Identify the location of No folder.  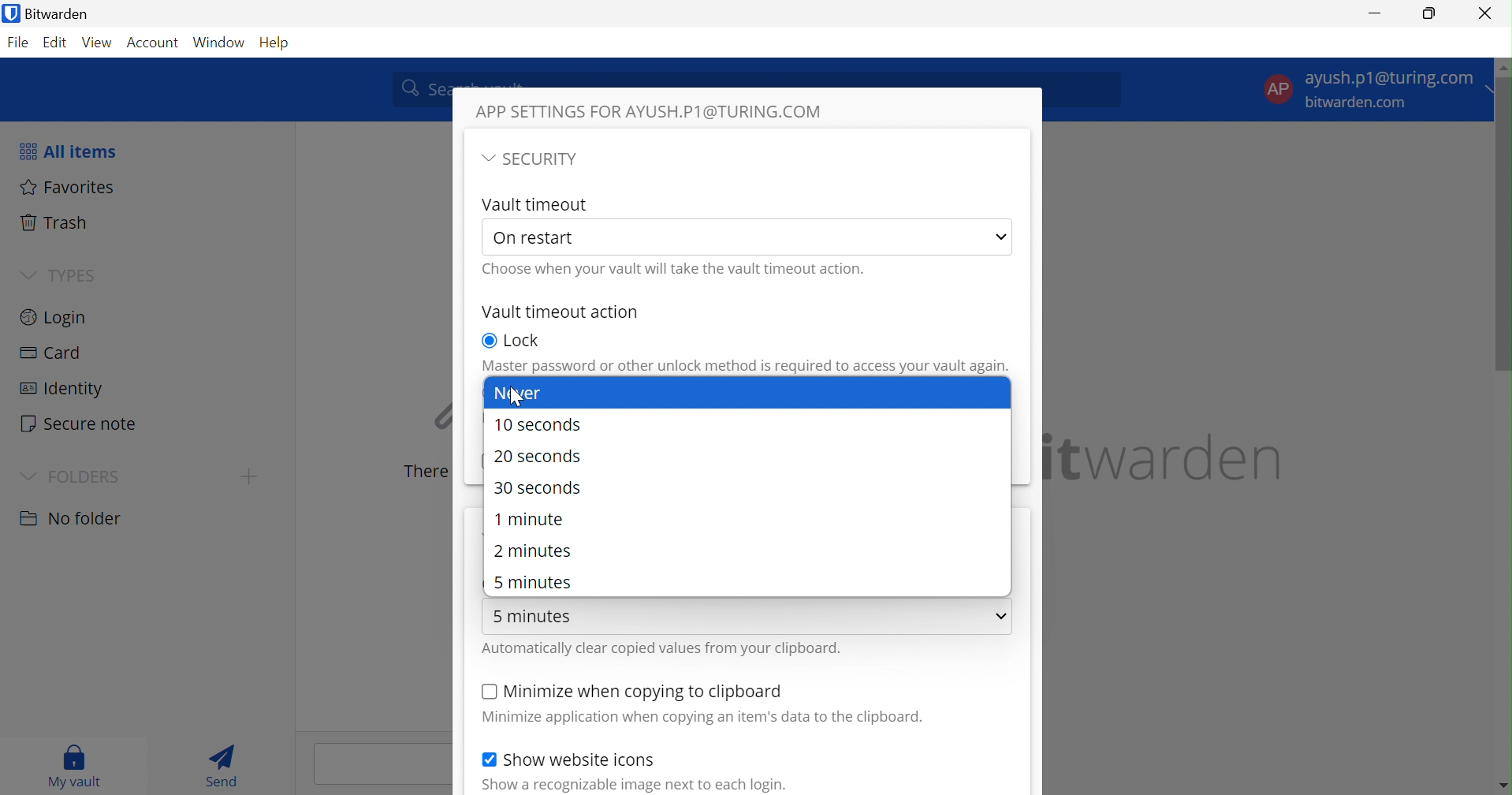
(74, 518).